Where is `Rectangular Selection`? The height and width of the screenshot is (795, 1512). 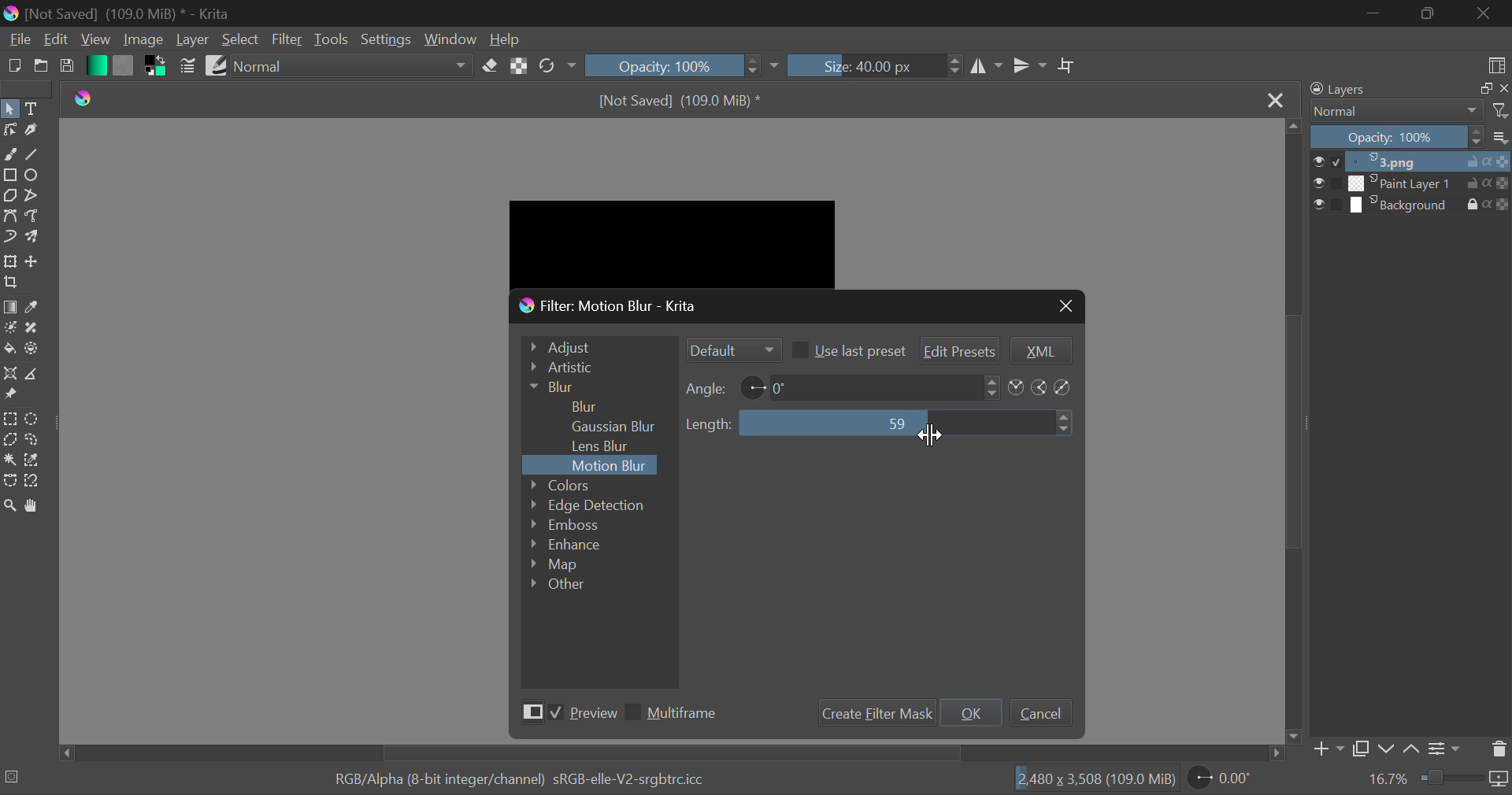
Rectangular Selection is located at coordinates (9, 419).